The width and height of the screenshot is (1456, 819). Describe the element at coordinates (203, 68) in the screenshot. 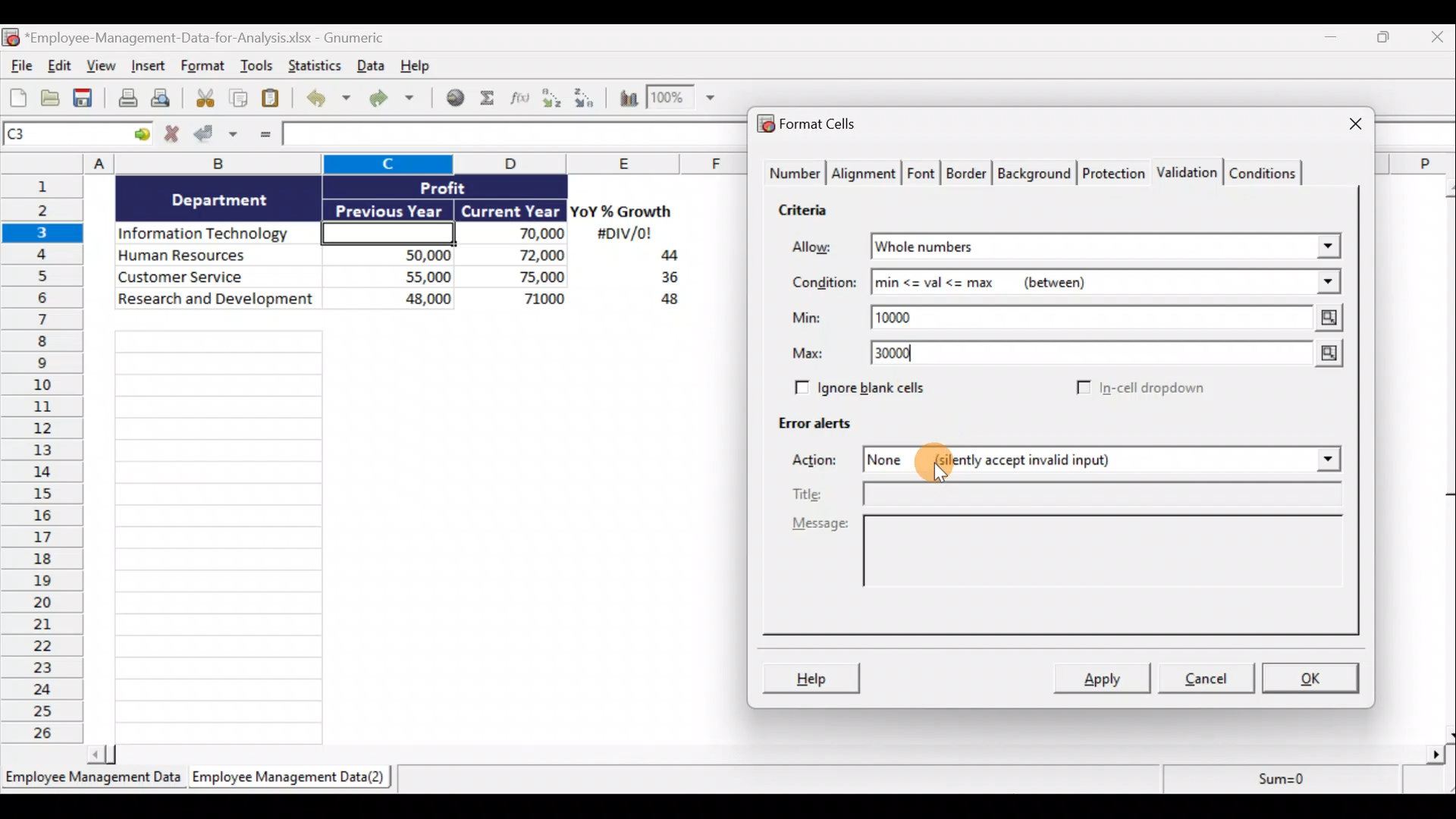

I see `Format` at that location.